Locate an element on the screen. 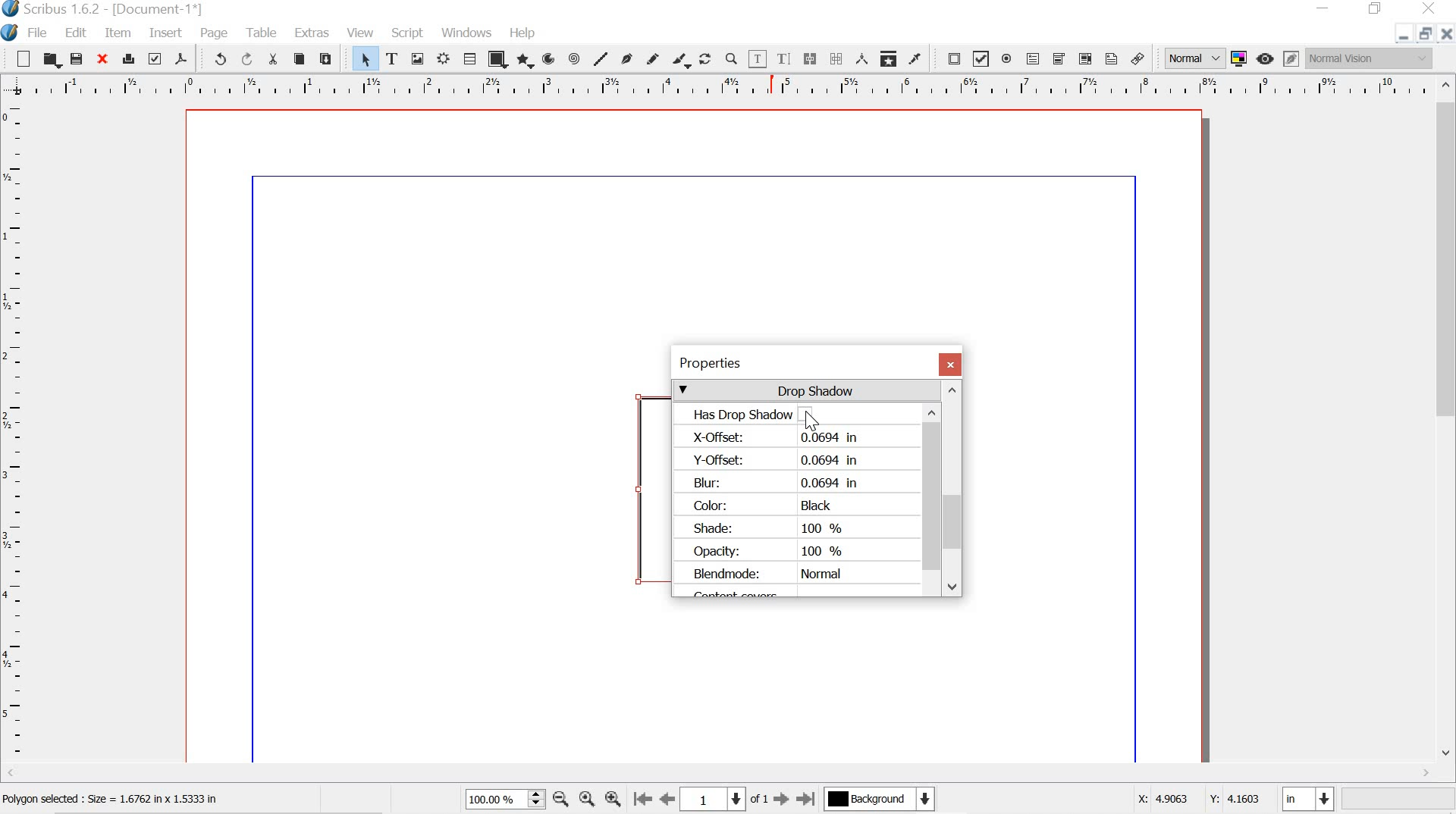 The height and width of the screenshot is (814, 1456). copy is located at coordinates (300, 59).